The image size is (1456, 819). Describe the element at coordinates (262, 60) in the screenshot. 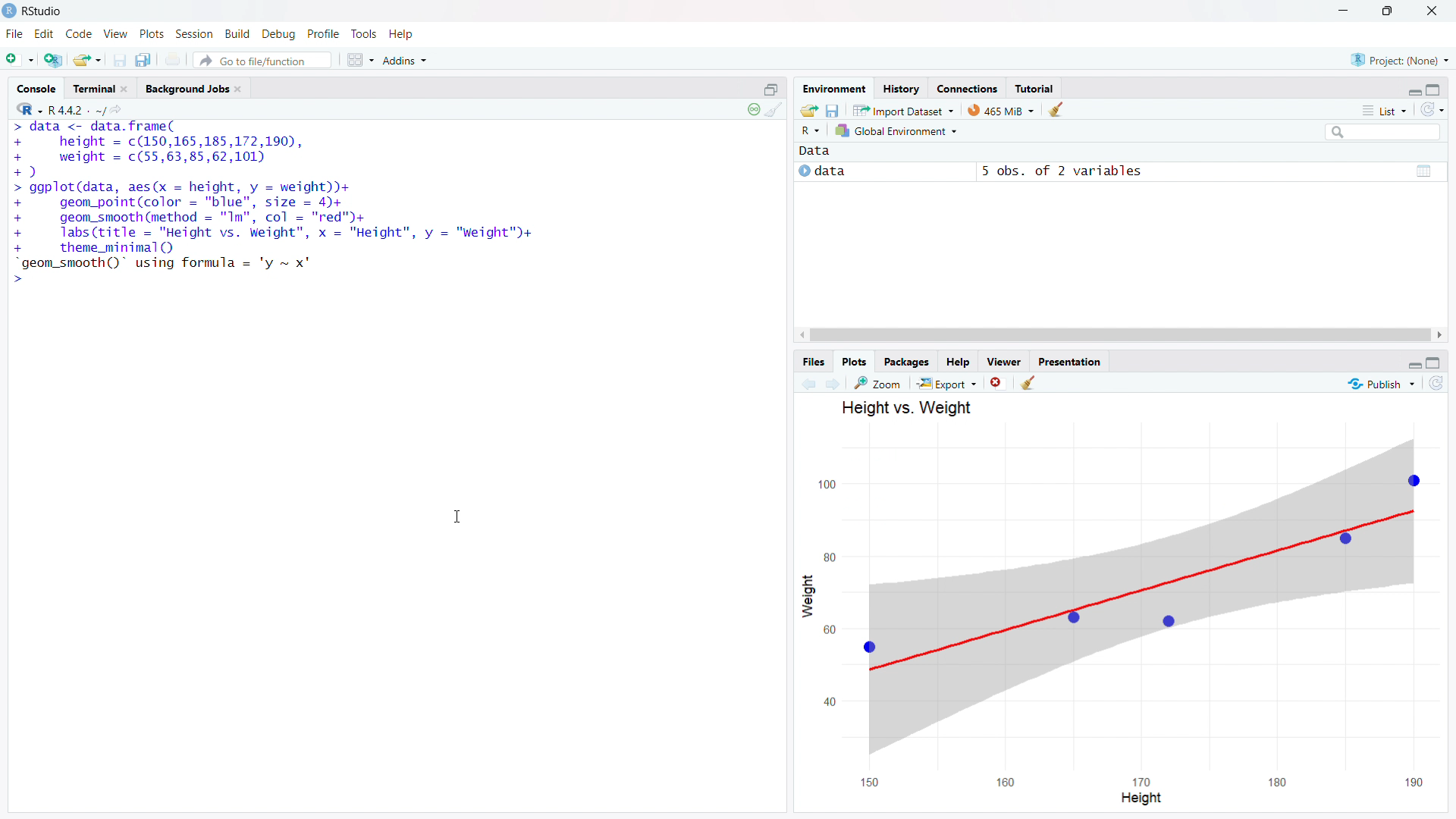

I see `go to file/function` at that location.